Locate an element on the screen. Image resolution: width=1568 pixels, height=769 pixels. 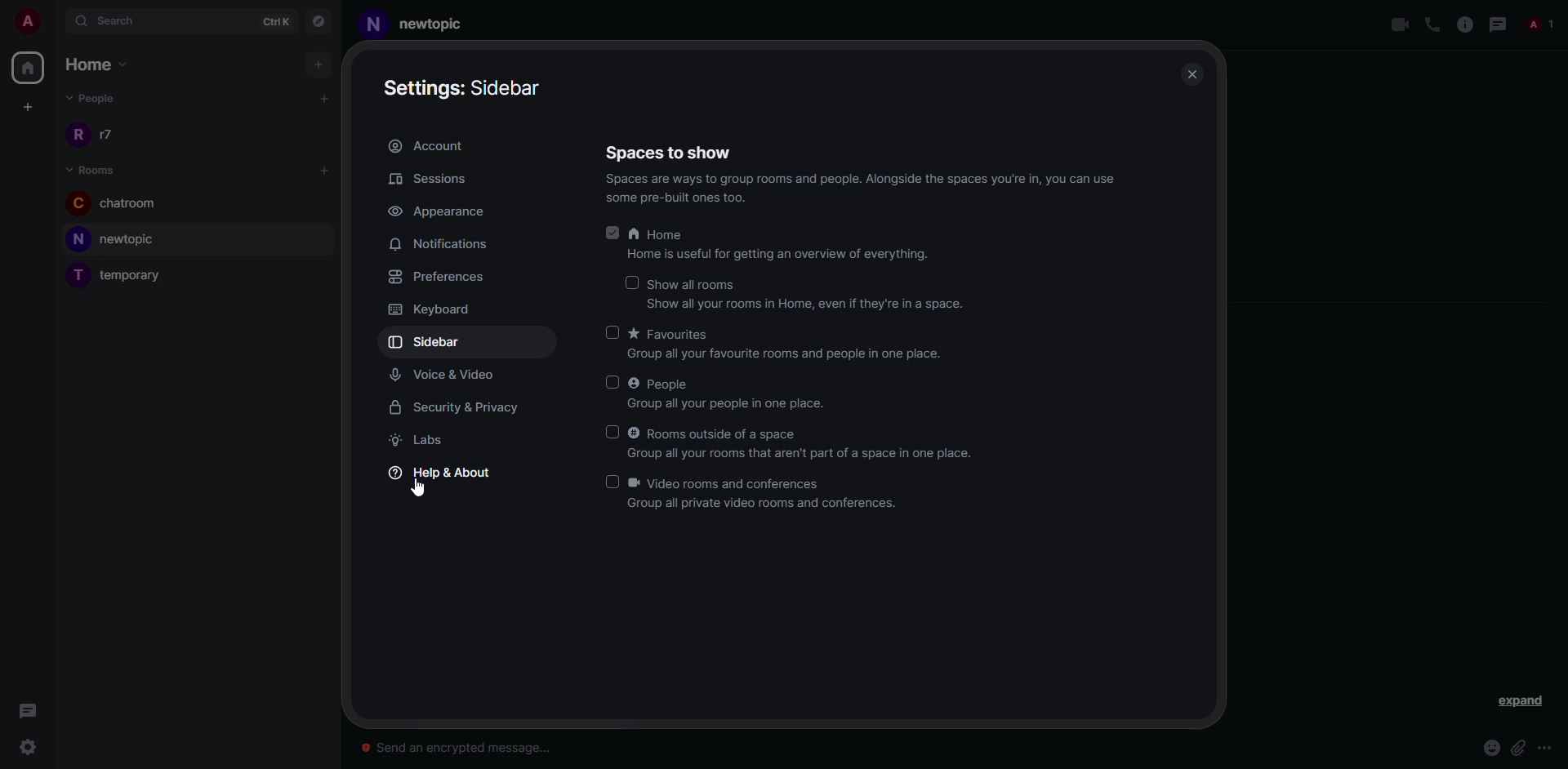
send encrypted message is located at coordinates (461, 746).